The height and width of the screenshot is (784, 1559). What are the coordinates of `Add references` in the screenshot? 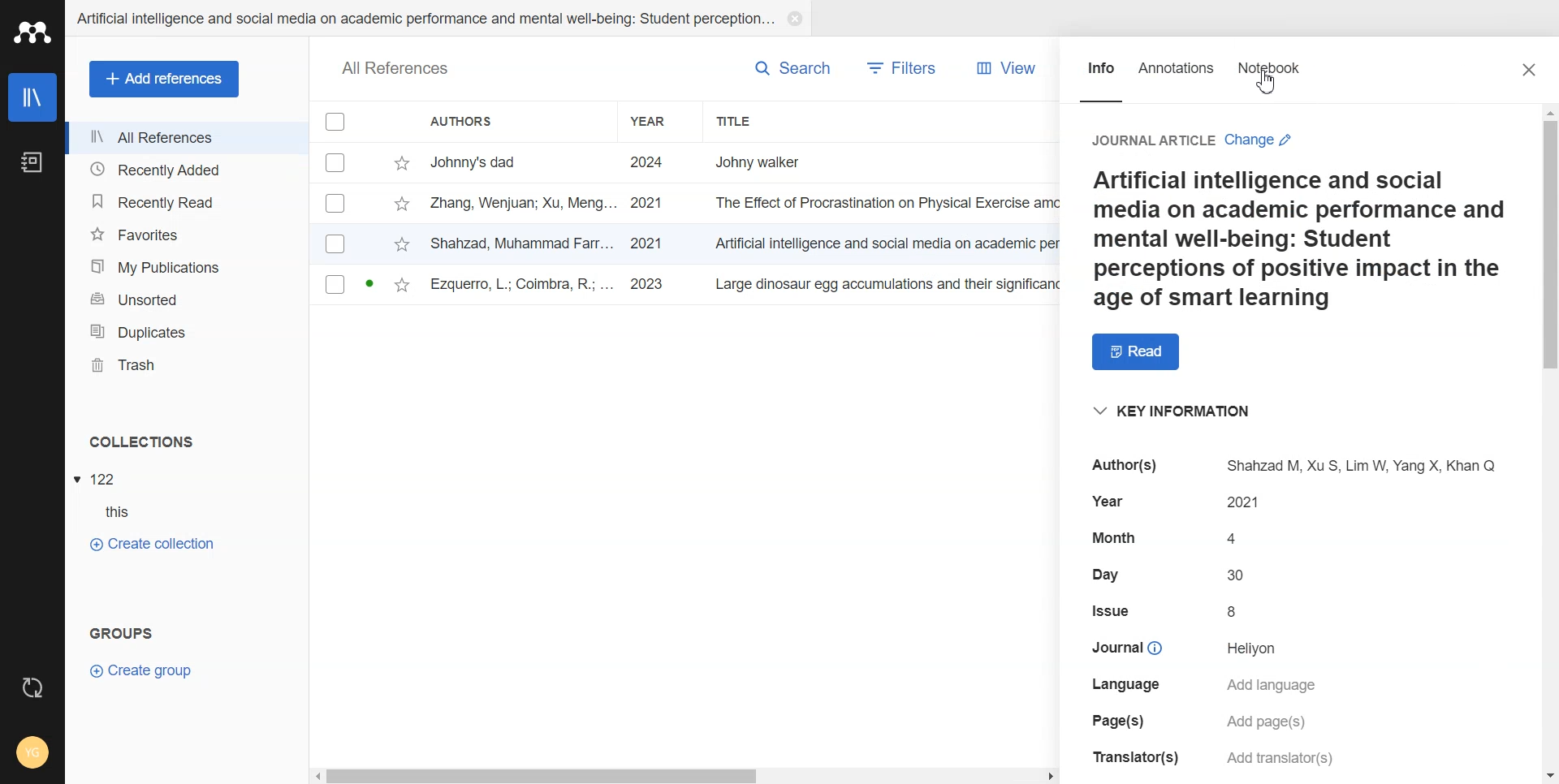 It's located at (165, 80).